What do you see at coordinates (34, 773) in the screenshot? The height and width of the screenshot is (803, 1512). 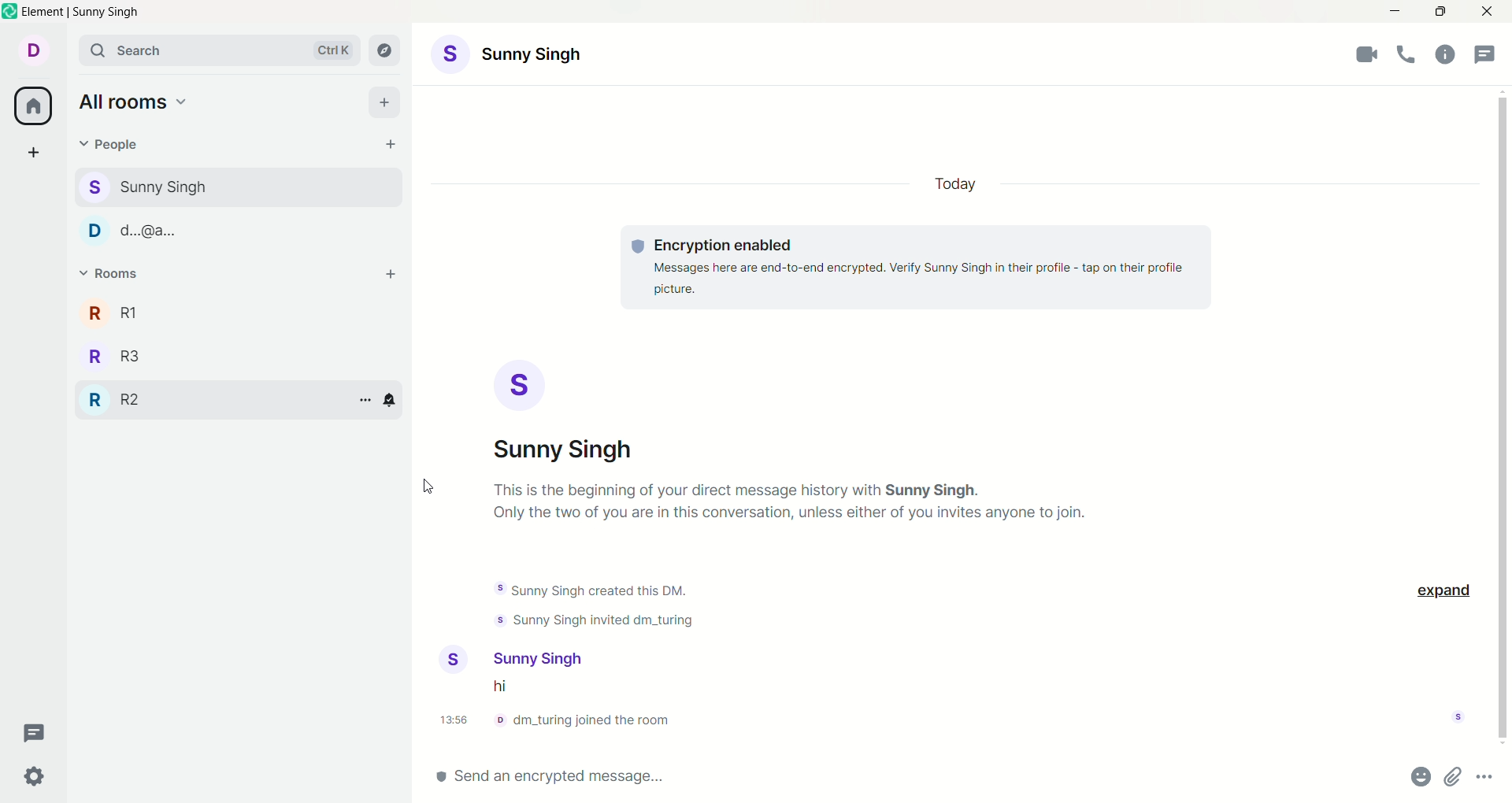 I see `settings` at bounding box center [34, 773].